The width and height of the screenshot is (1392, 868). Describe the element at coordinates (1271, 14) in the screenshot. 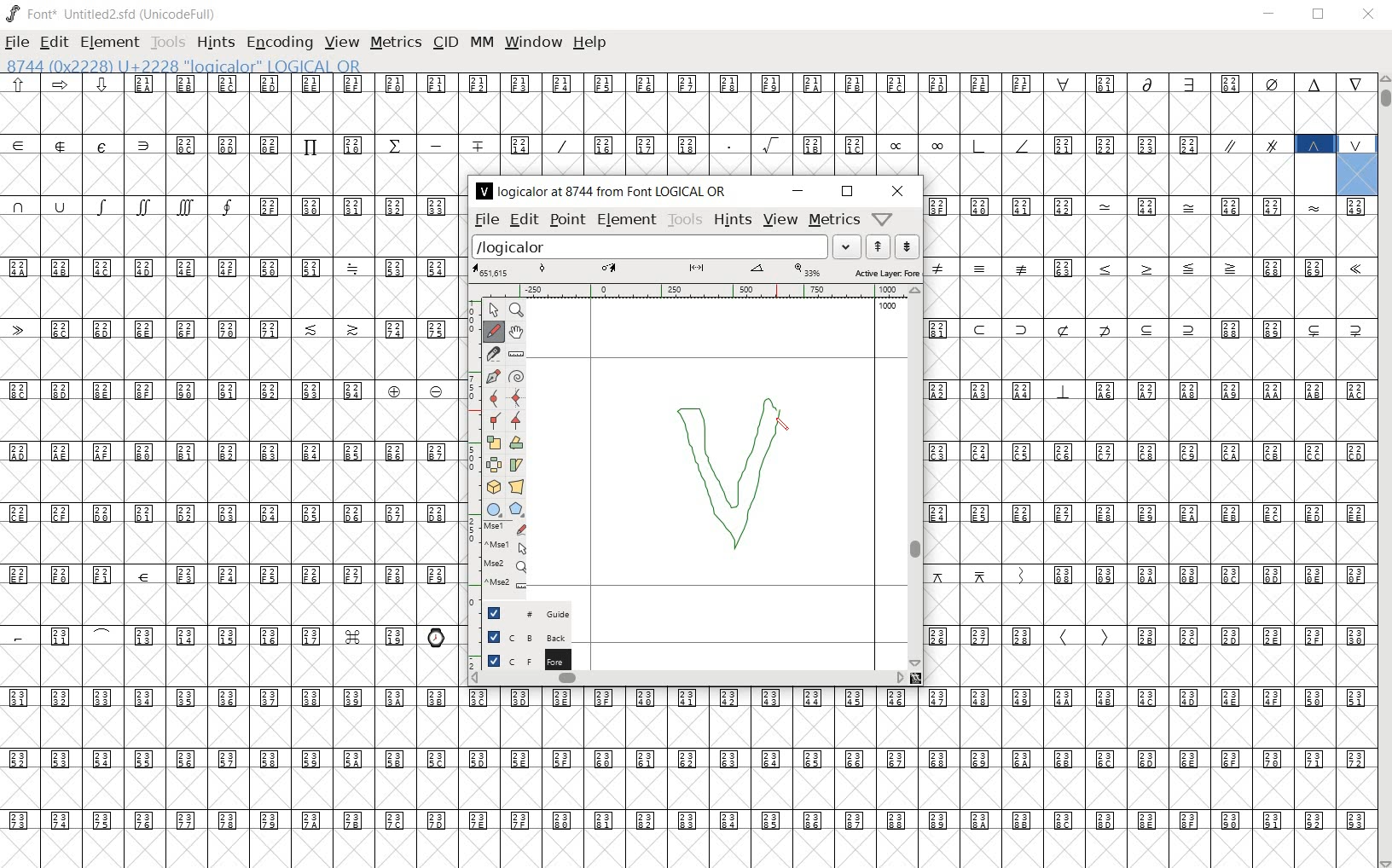

I see `minimize` at that location.